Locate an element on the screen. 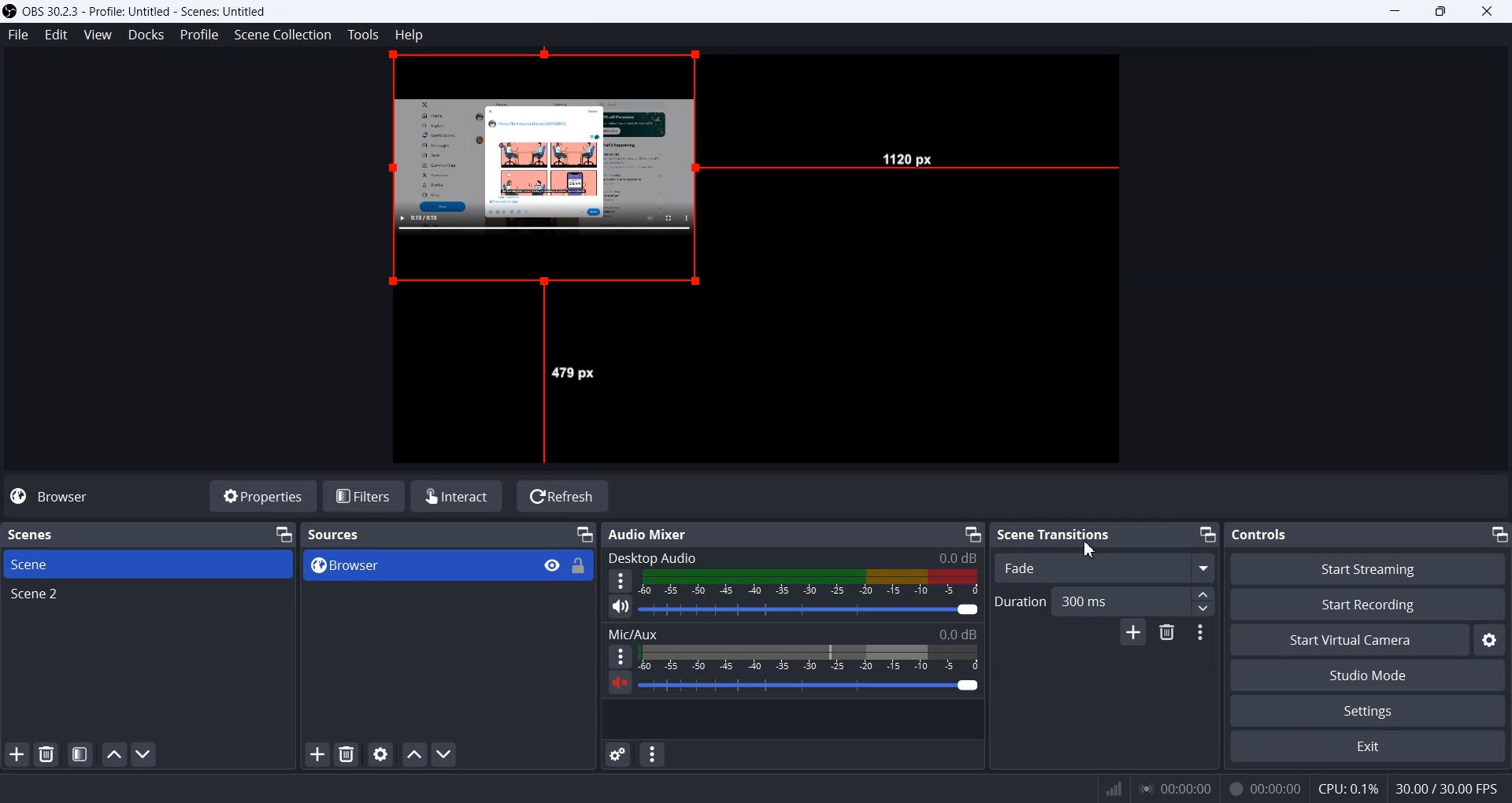 This screenshot has height=803, width=1512. Source reset is located at coordinates (550, 174).